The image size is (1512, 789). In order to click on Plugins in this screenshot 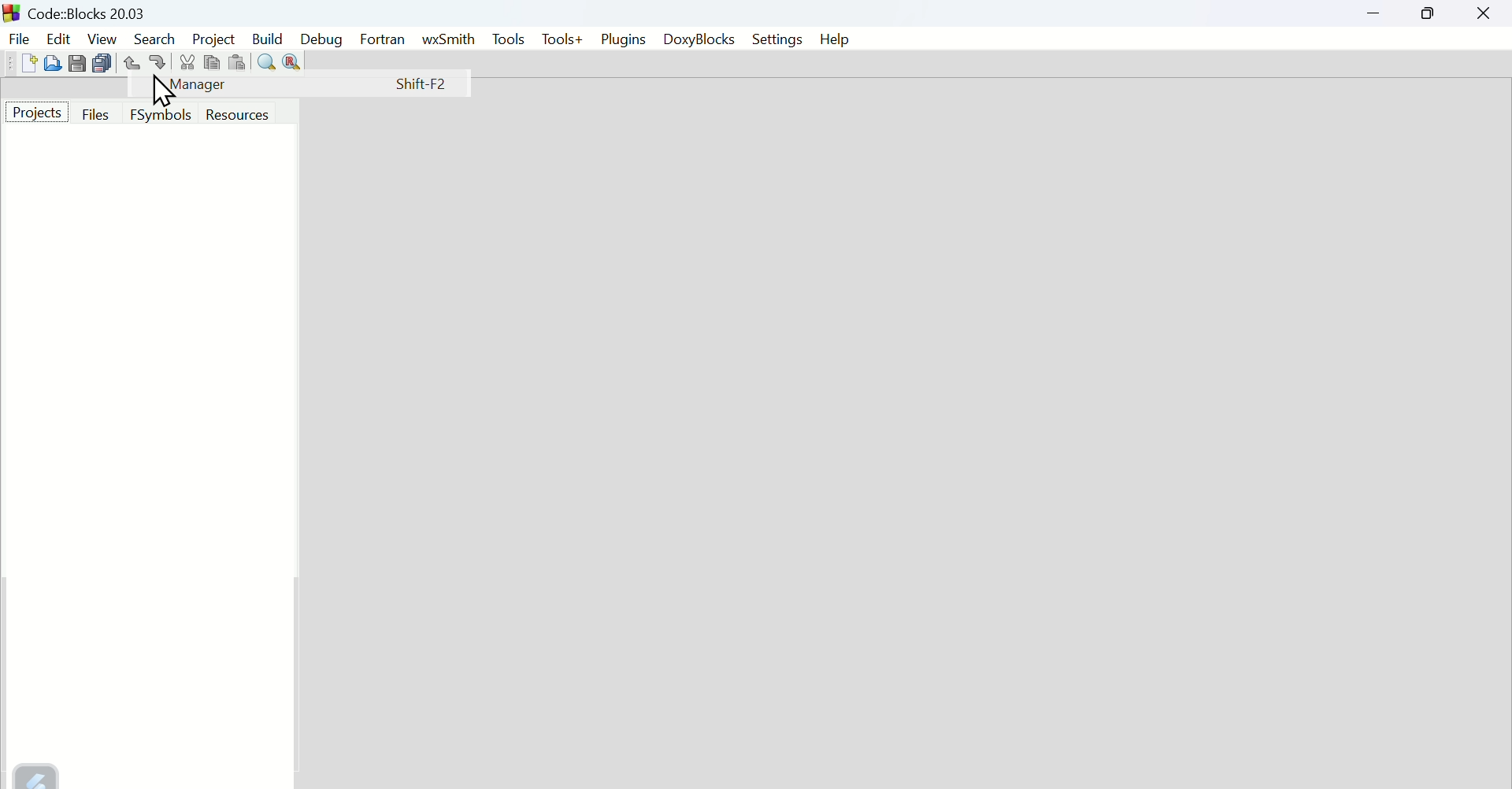, I will do `click(624, 39)`.